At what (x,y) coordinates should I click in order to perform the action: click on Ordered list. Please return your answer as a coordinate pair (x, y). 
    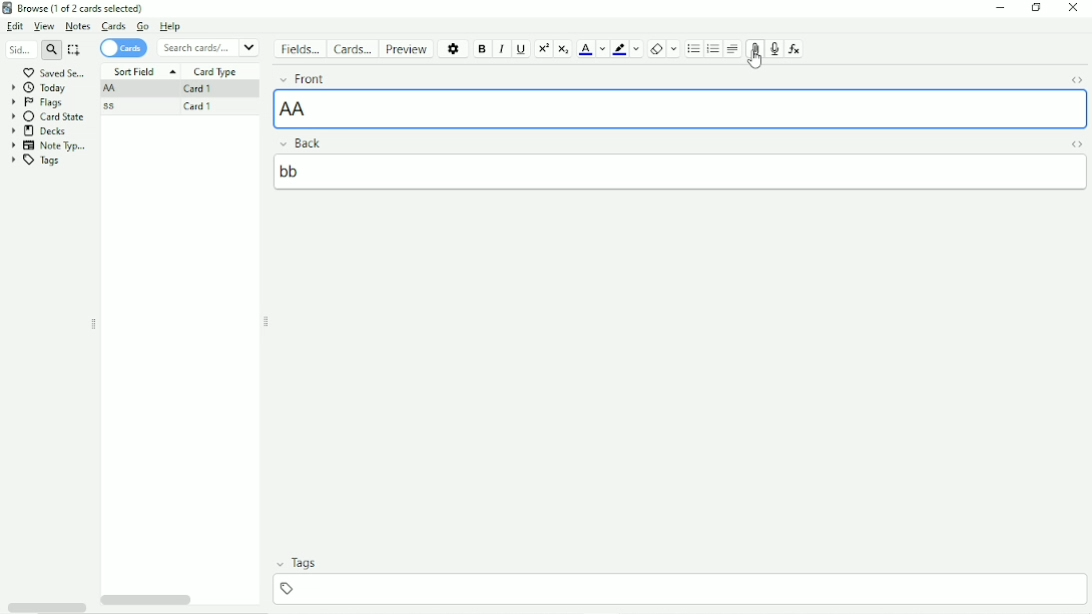
    Looking at the image, I should click on (713, 49).